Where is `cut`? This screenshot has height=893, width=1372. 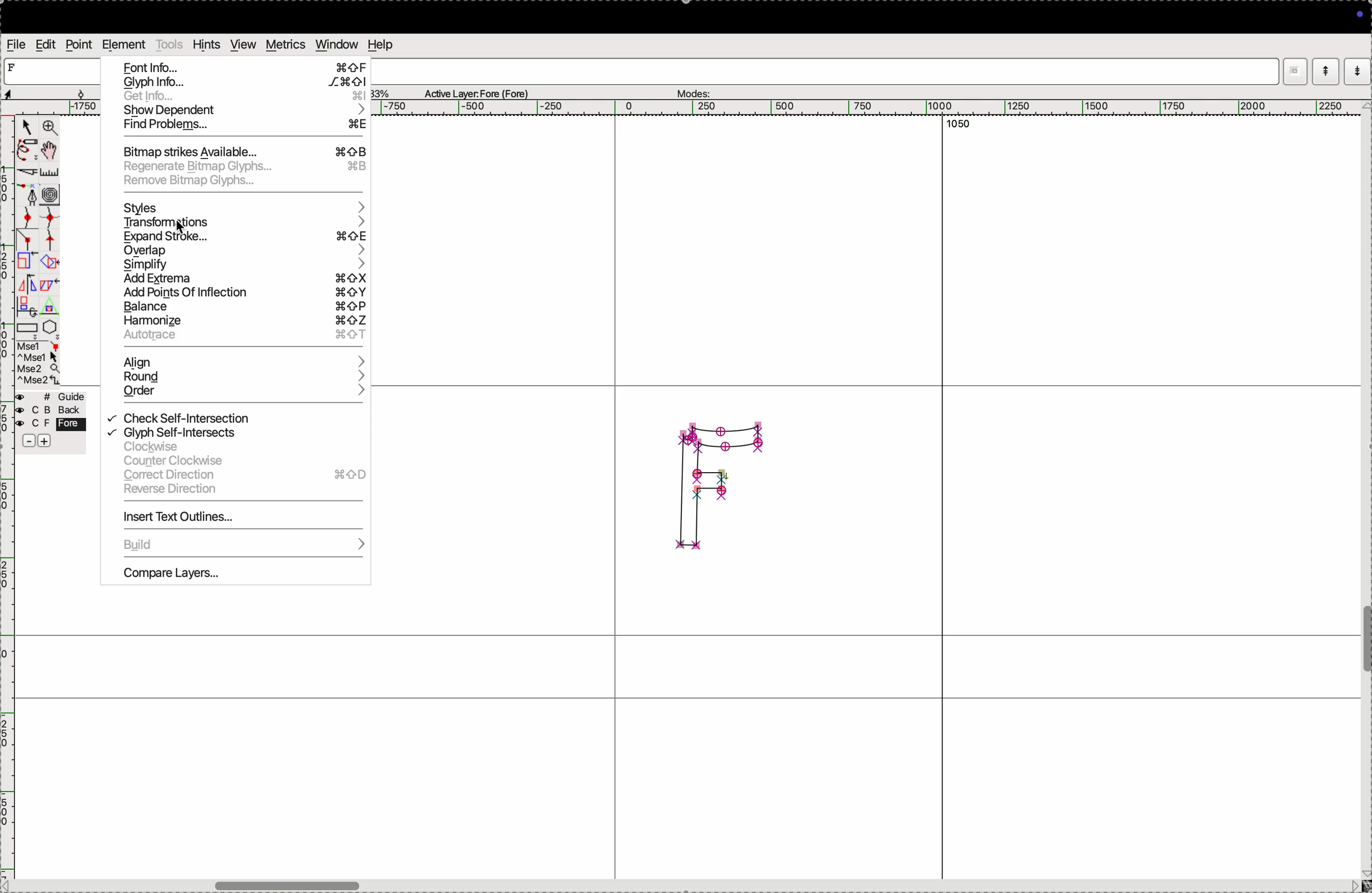
cut is located at coordinates (28, 174).